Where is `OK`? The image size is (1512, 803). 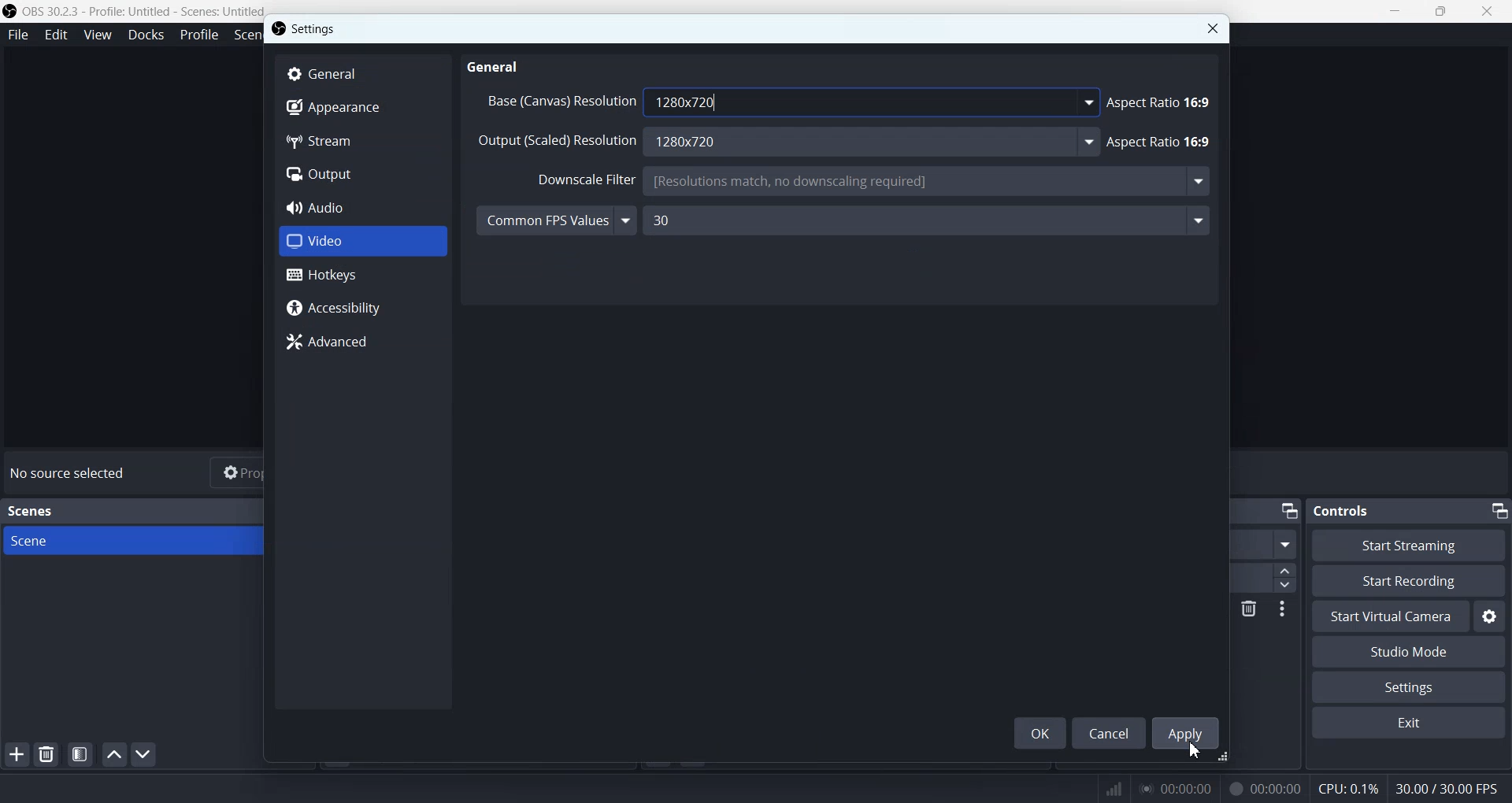
OK is located at coordinates (1039, 733).